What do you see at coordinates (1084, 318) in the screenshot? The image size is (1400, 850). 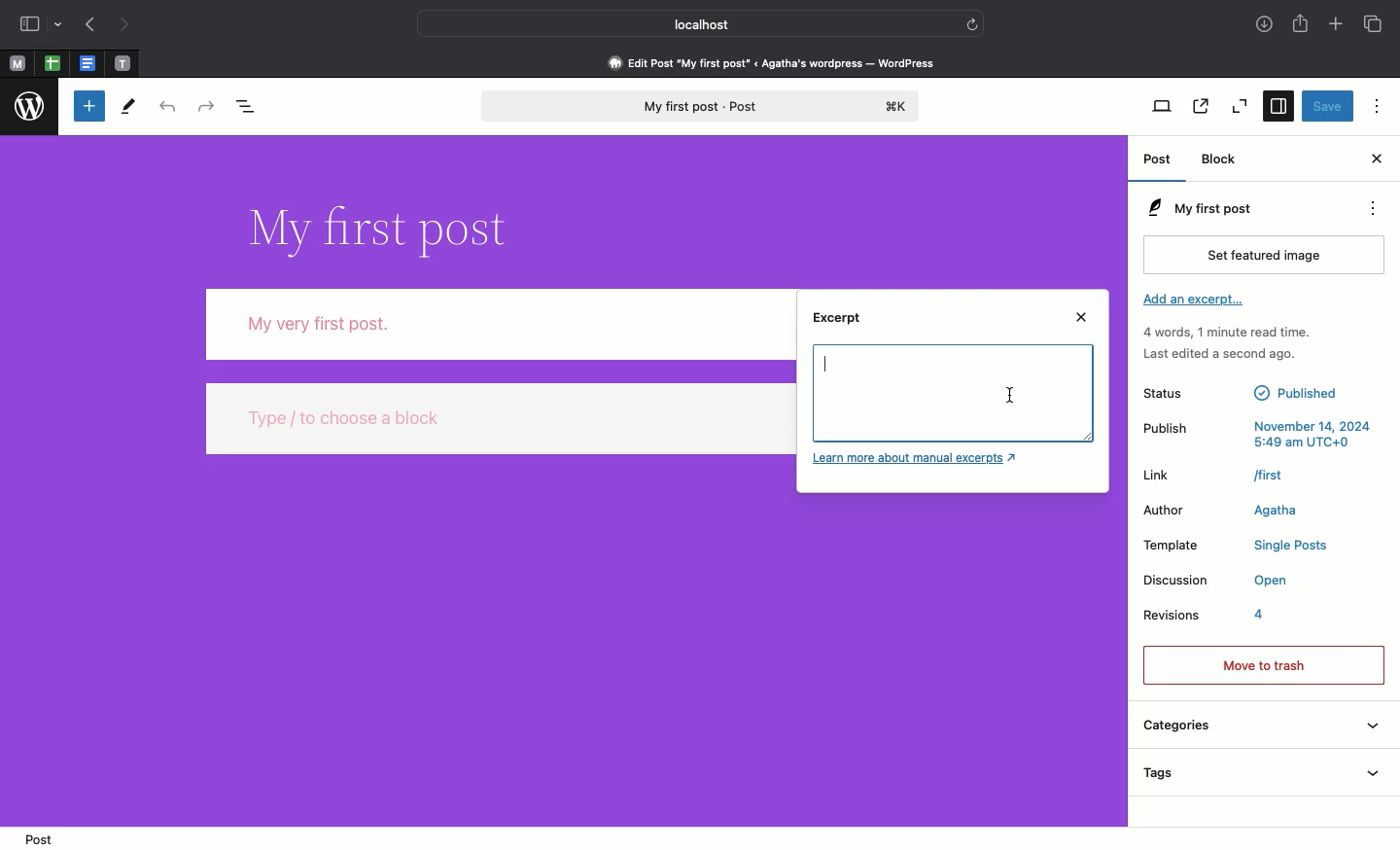 I see `Close` at bounding box center [1084, 318].